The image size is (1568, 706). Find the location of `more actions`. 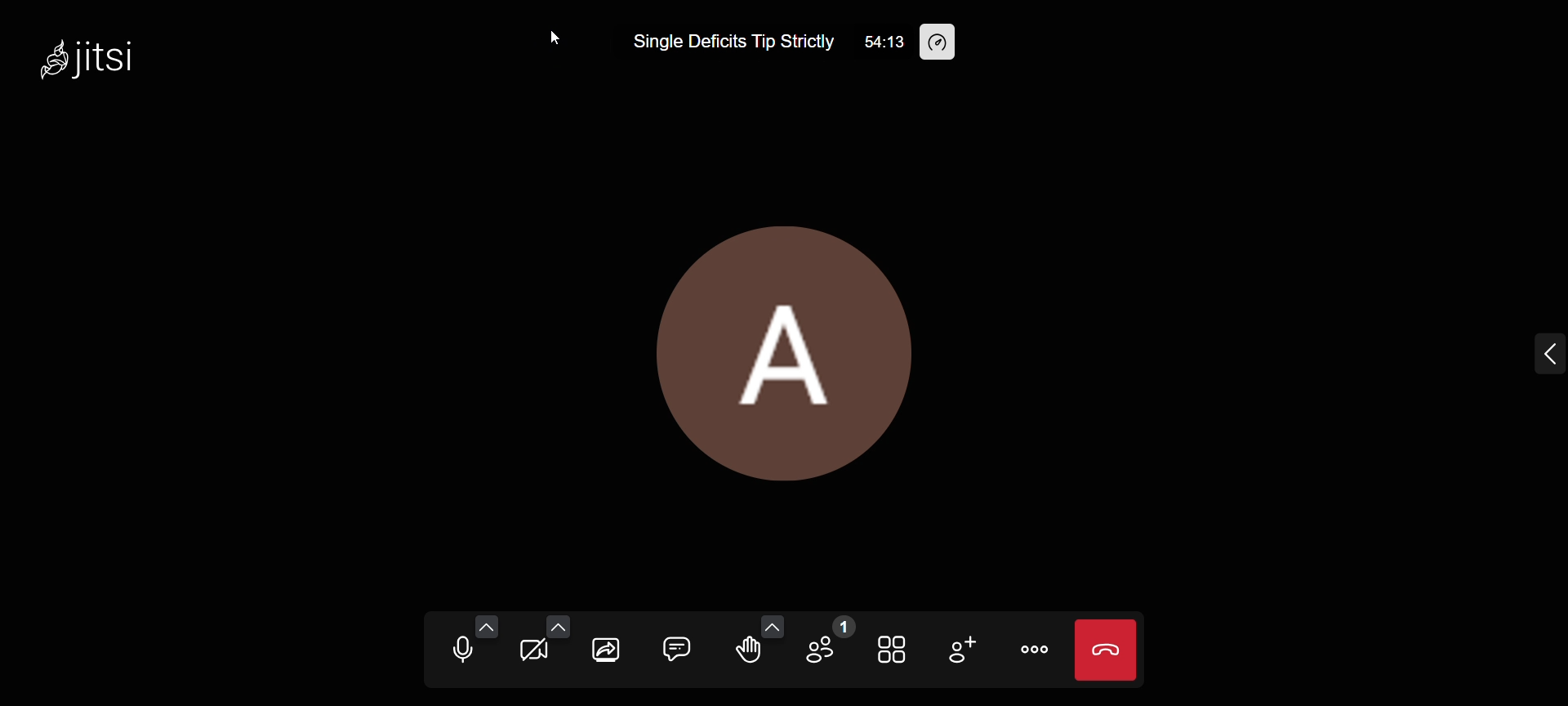

more actions is located at coordinates (1035, 650).